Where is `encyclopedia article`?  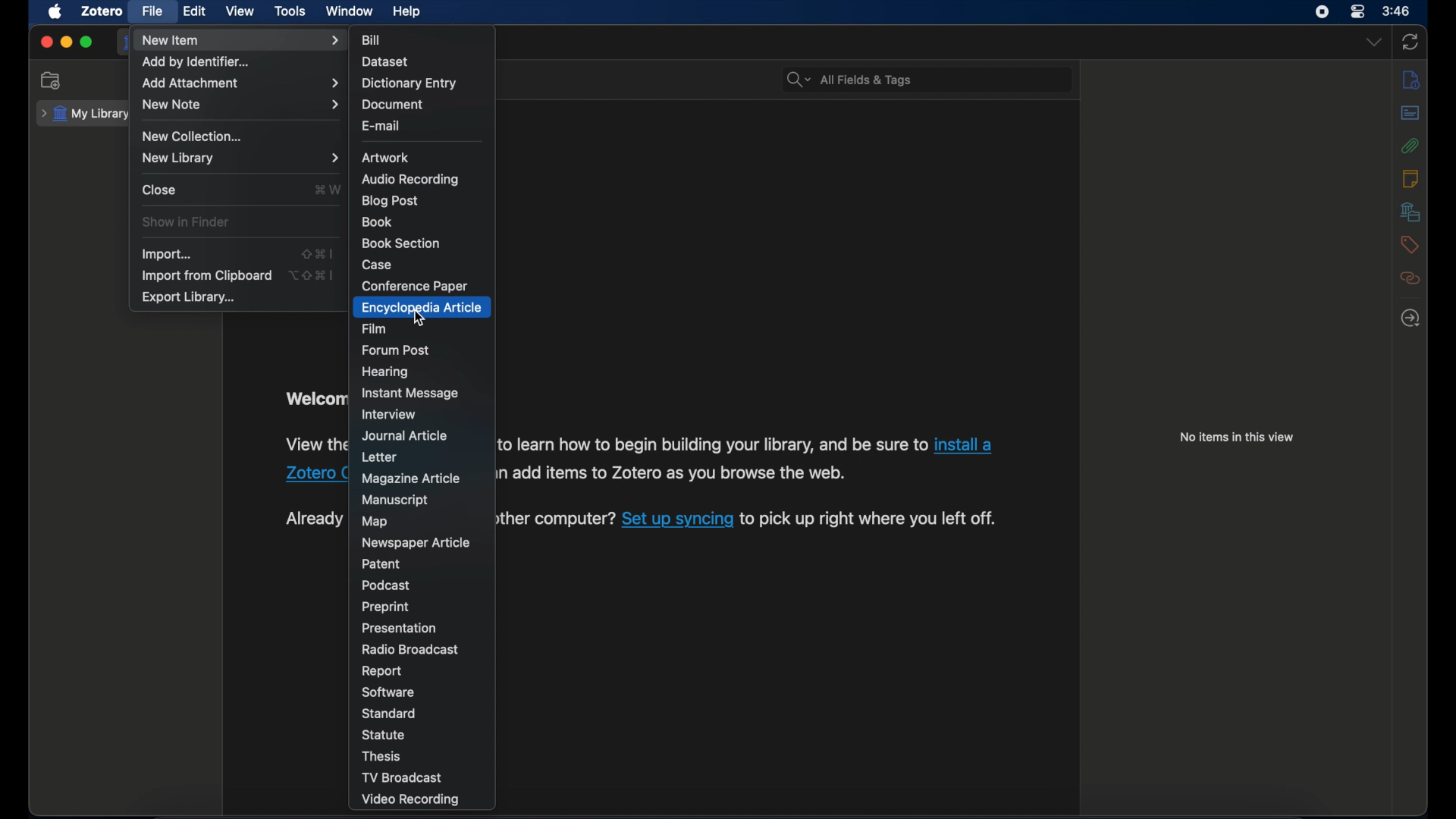
encyclopedia article is located at coordinates (422, 307).